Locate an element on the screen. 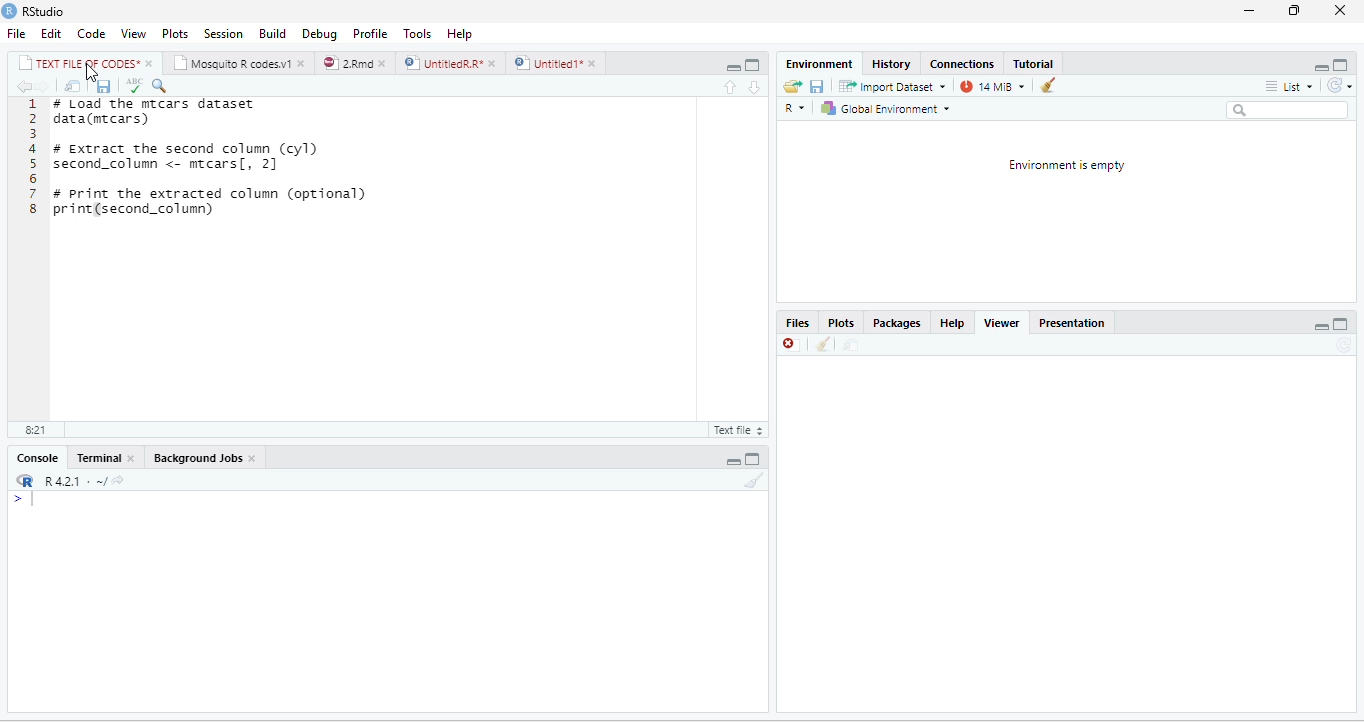  minimize is located at coordinates (1323, 64).